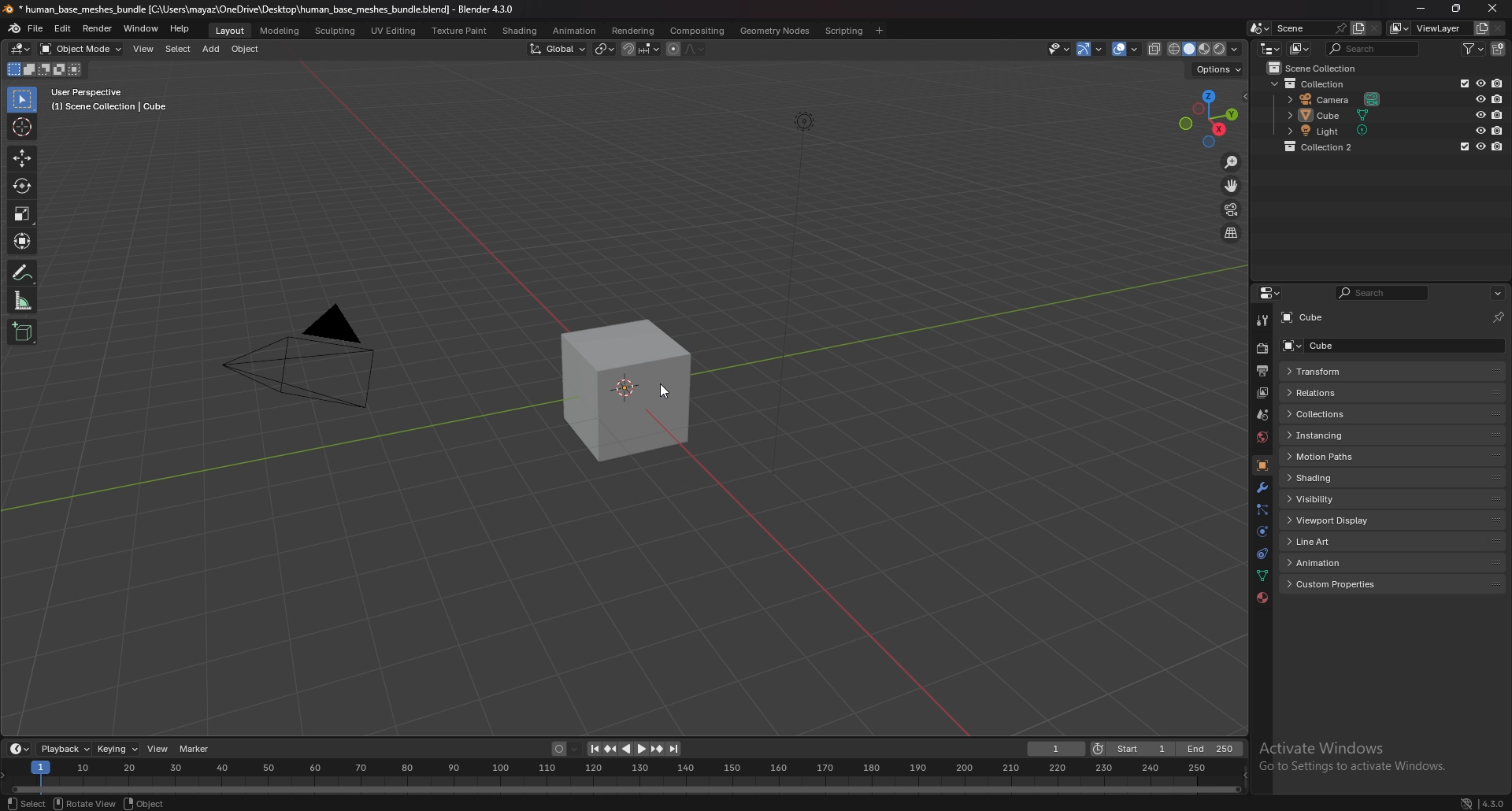  Describe the element at coordinates (1234, 185) in the screenshot. I see `move` at that location.